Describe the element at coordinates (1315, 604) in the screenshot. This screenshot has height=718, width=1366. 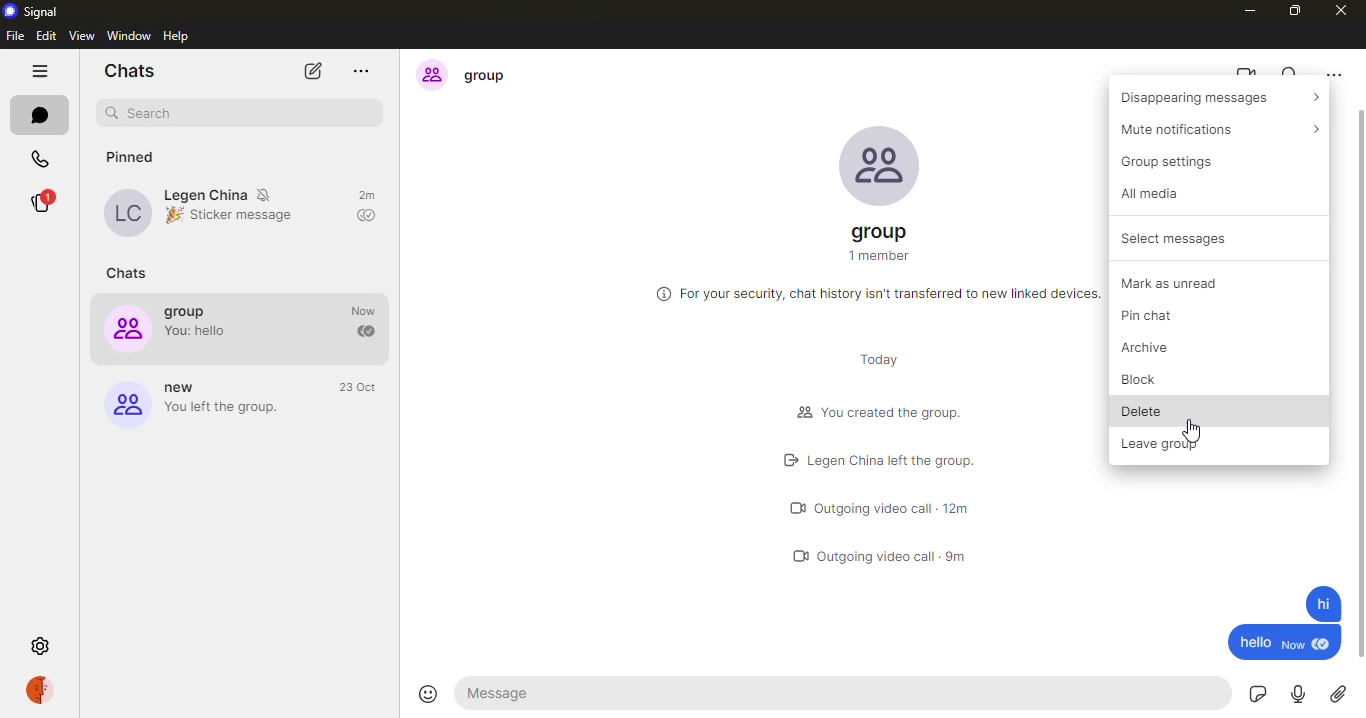
I see `hi` at that location.